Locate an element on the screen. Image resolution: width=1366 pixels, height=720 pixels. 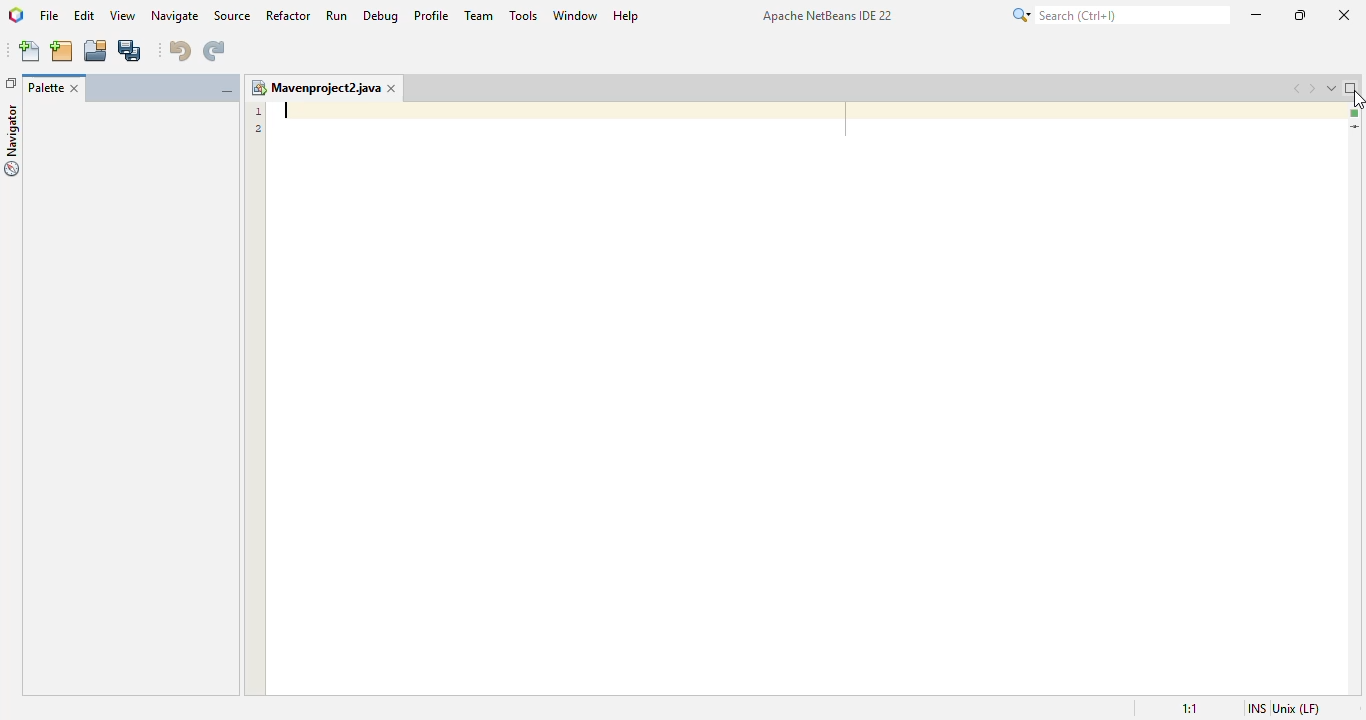
open project is located at coordinates (96, 50).